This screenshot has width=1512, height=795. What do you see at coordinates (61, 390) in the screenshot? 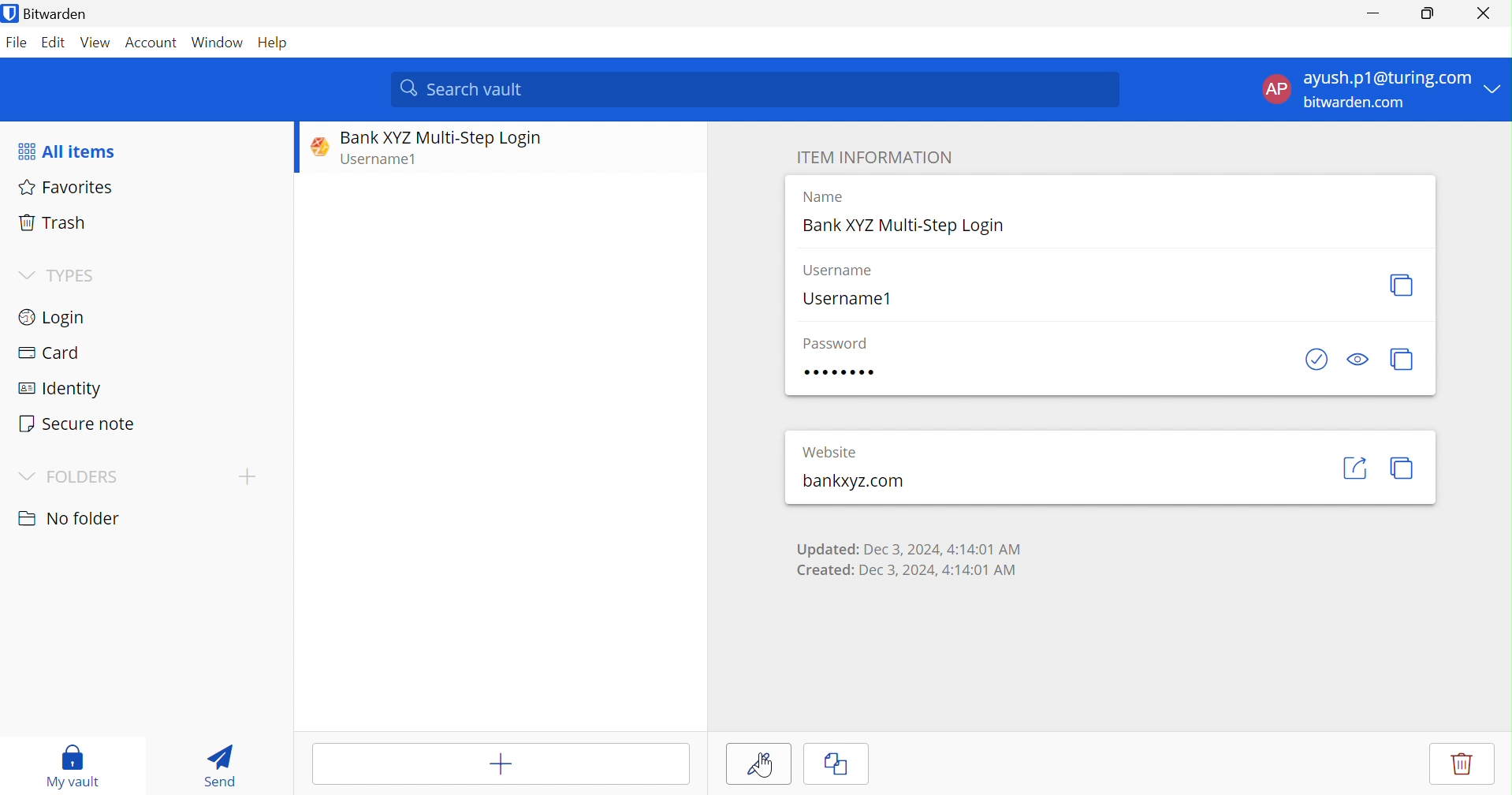
I see `Identity` at bounding box center [61, 390].